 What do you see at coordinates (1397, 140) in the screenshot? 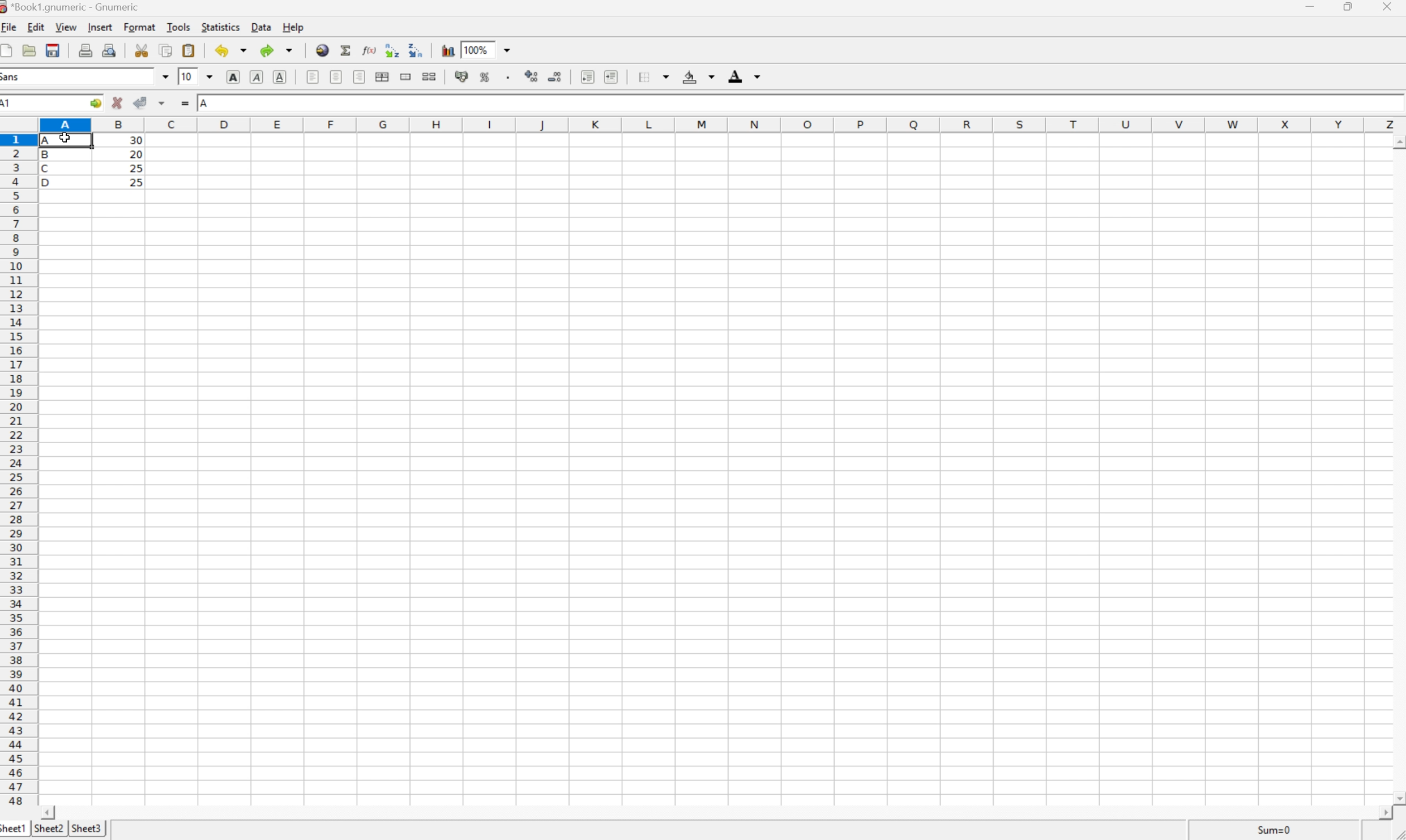
I see `Scroll Up` at bounding box center [1397, 140].